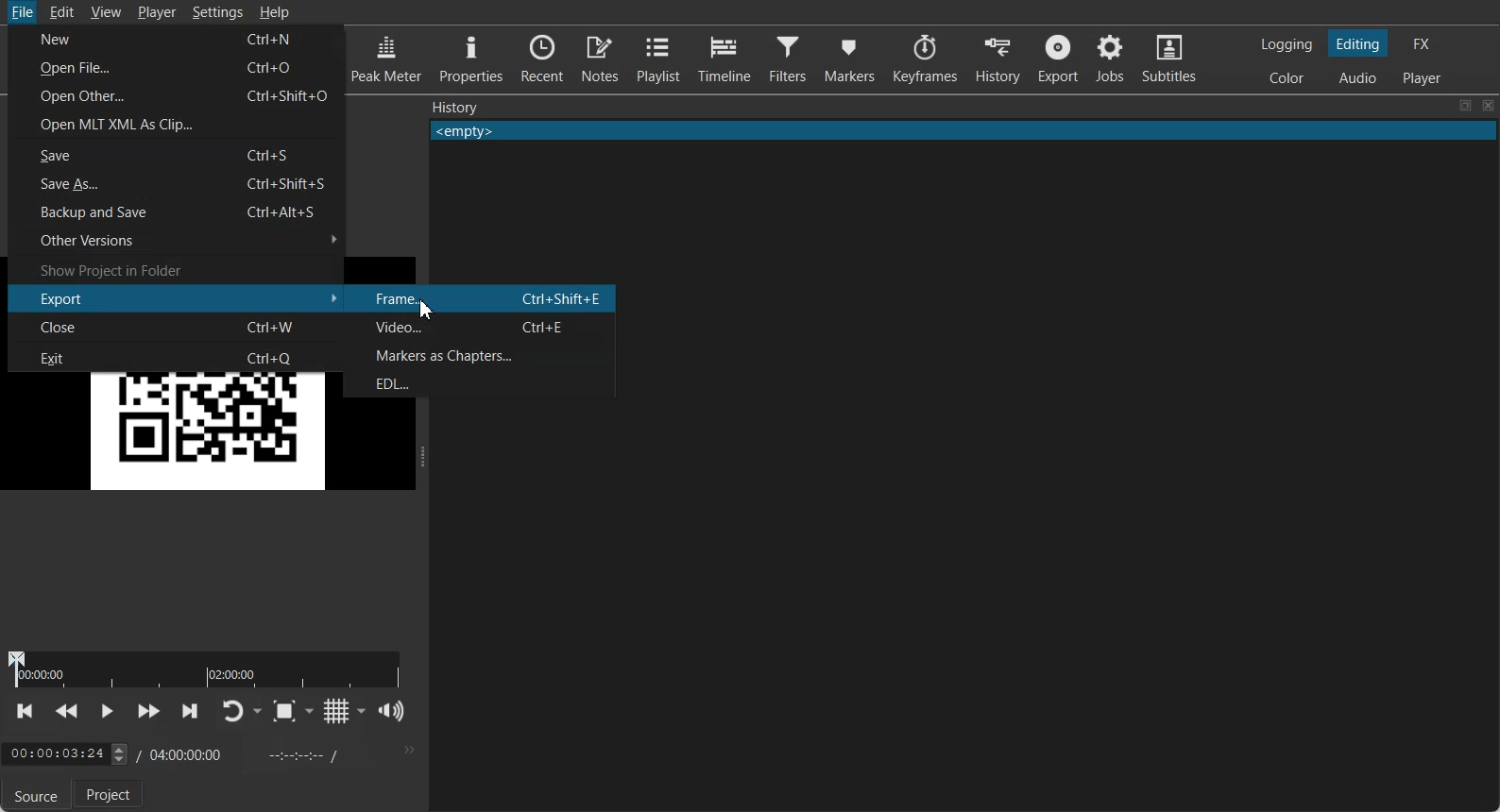 The image size is (1500, 812). What do you see at coordinates (111, 795) in the screenshot?
I see `Project` at bounding box center [111, 795].